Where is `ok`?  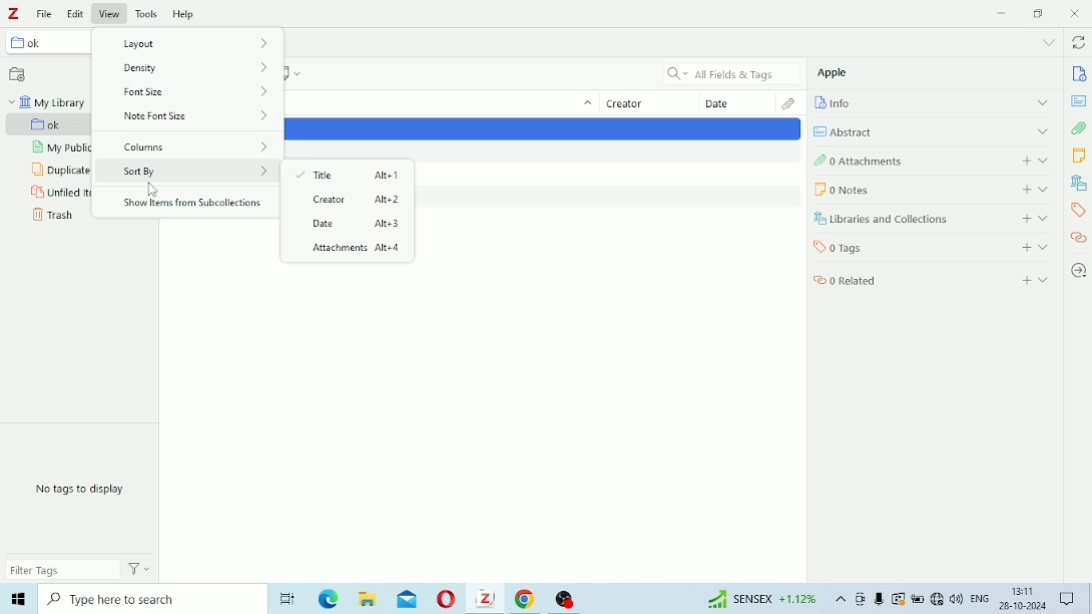
ok is located at coordinates (46, 44).